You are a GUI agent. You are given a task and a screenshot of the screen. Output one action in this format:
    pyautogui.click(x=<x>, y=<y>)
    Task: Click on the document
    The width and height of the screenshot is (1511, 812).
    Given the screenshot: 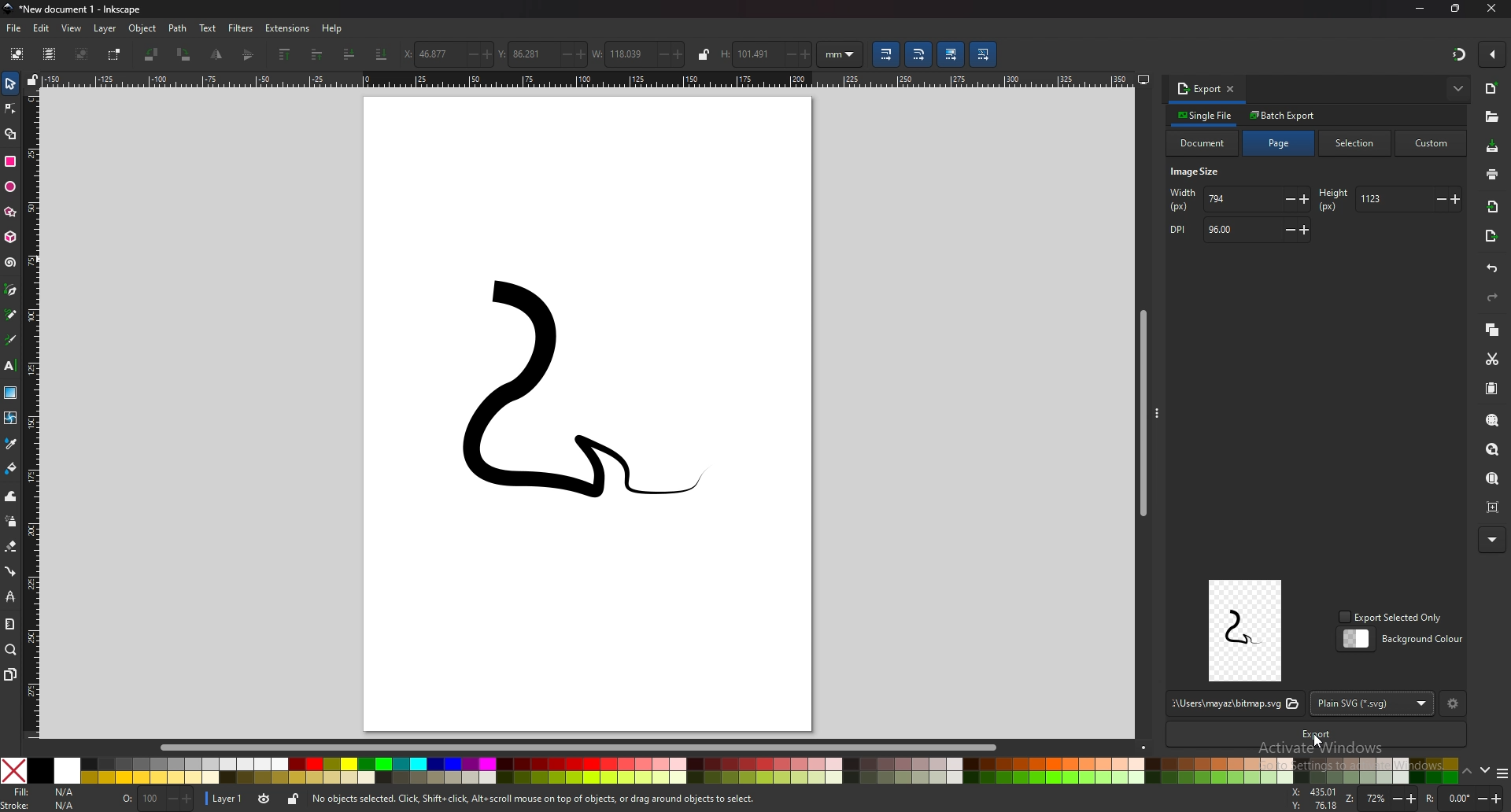 What is the action you would take?
    pyautogui.click(x=1203, y=143)
    